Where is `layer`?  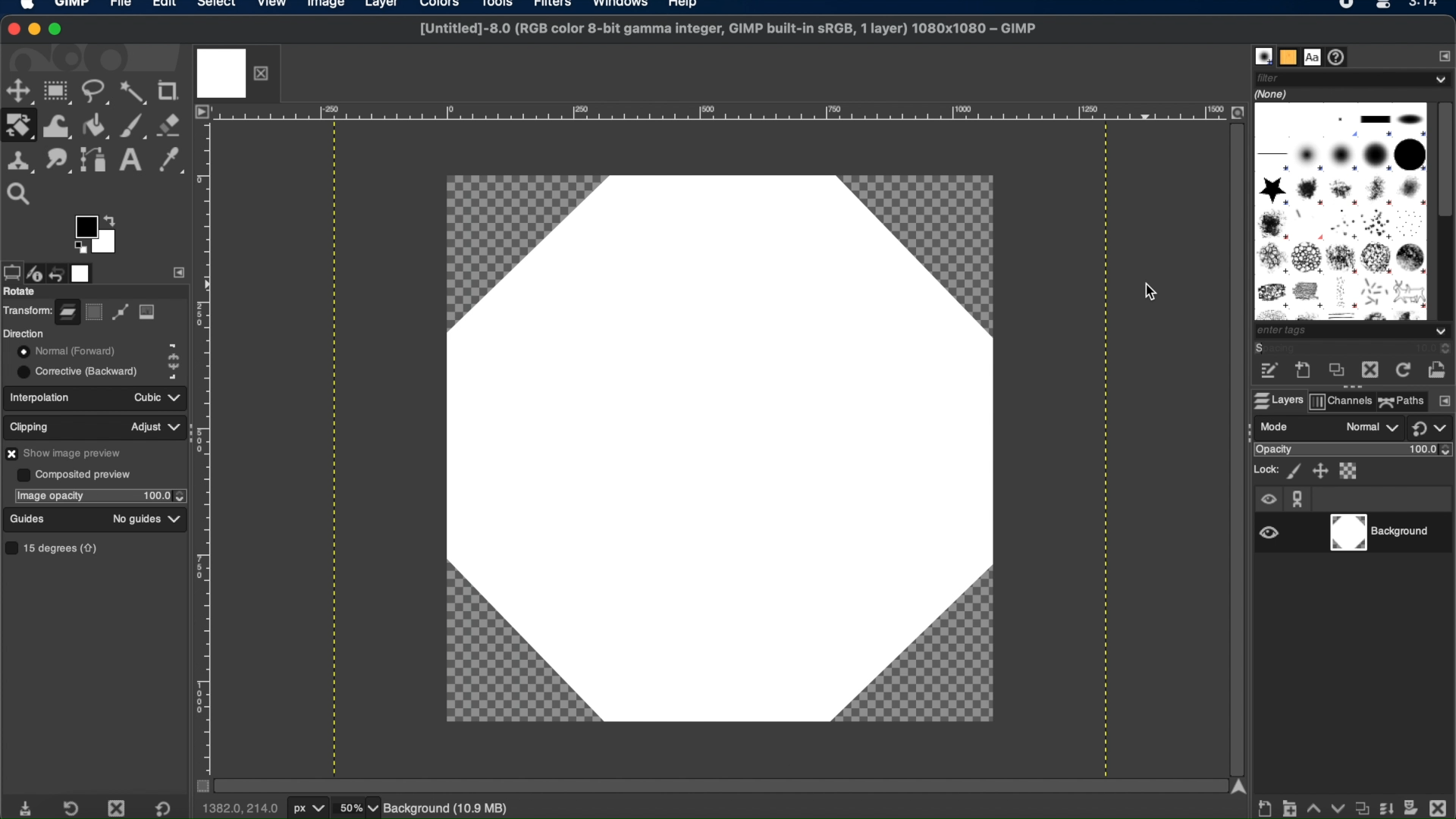 layer is located at coordinates (67, 309).